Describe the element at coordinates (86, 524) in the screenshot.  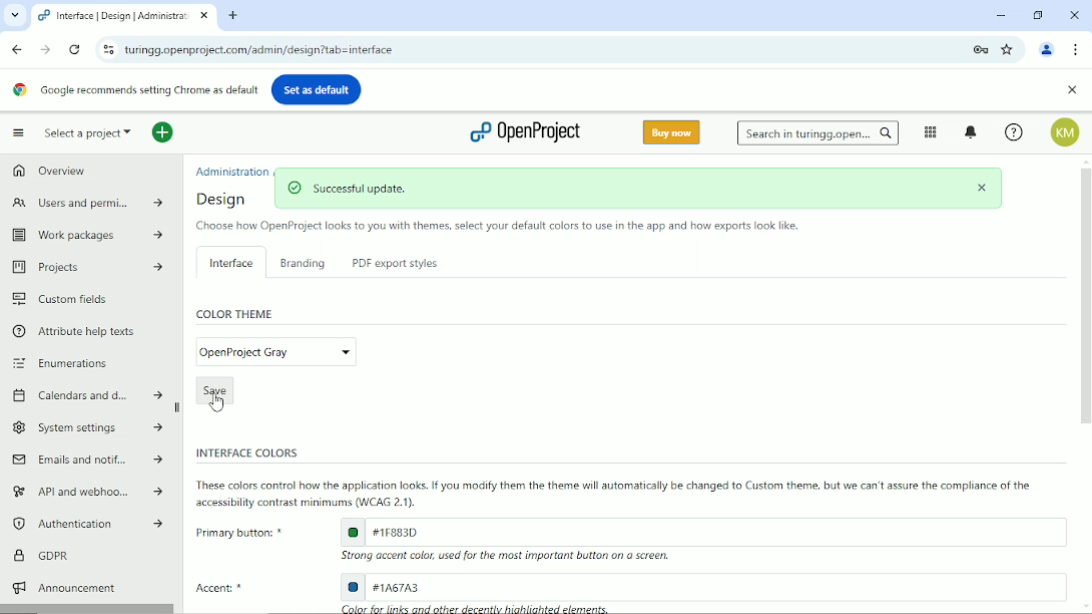
I see `Authentication` at that location.